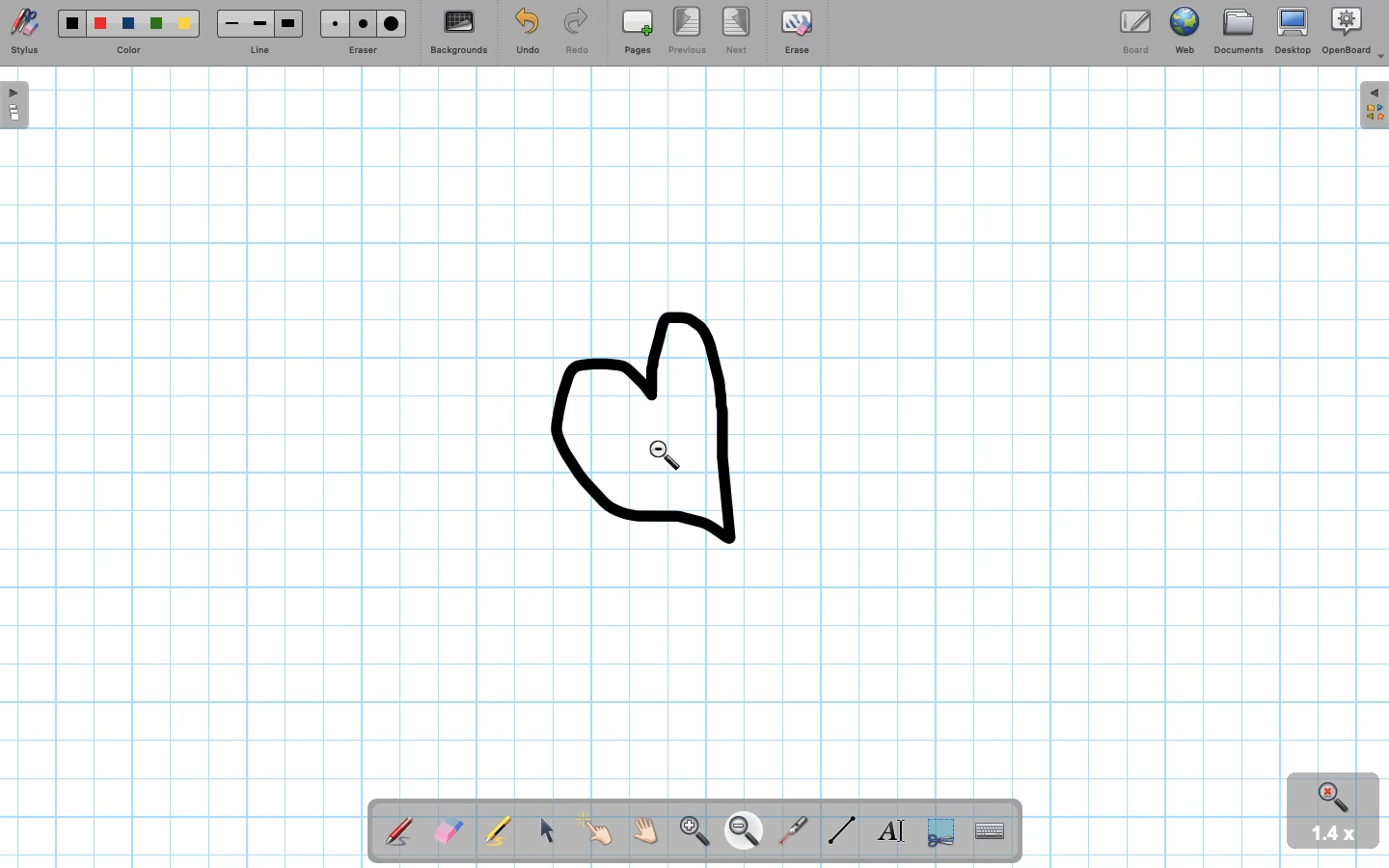 The height and width of the screenshot is (868, 1389). What do you see at coordinates (797, 36) in the screenshot?
I see `Erase` at bounding box center [797, 36].